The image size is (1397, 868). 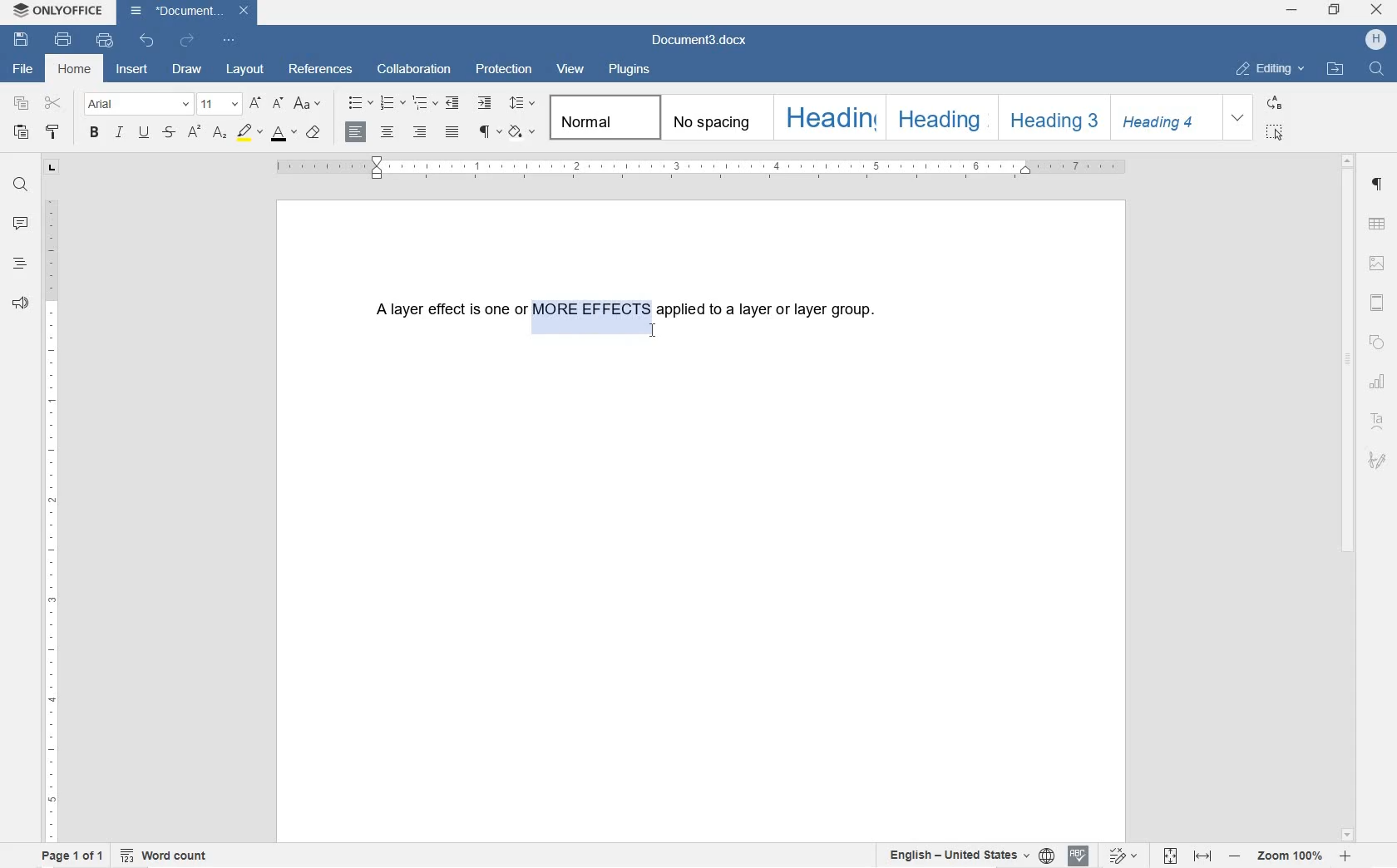 I want to click on MULTILEVEL LISTS, so click(x=427, y=105).